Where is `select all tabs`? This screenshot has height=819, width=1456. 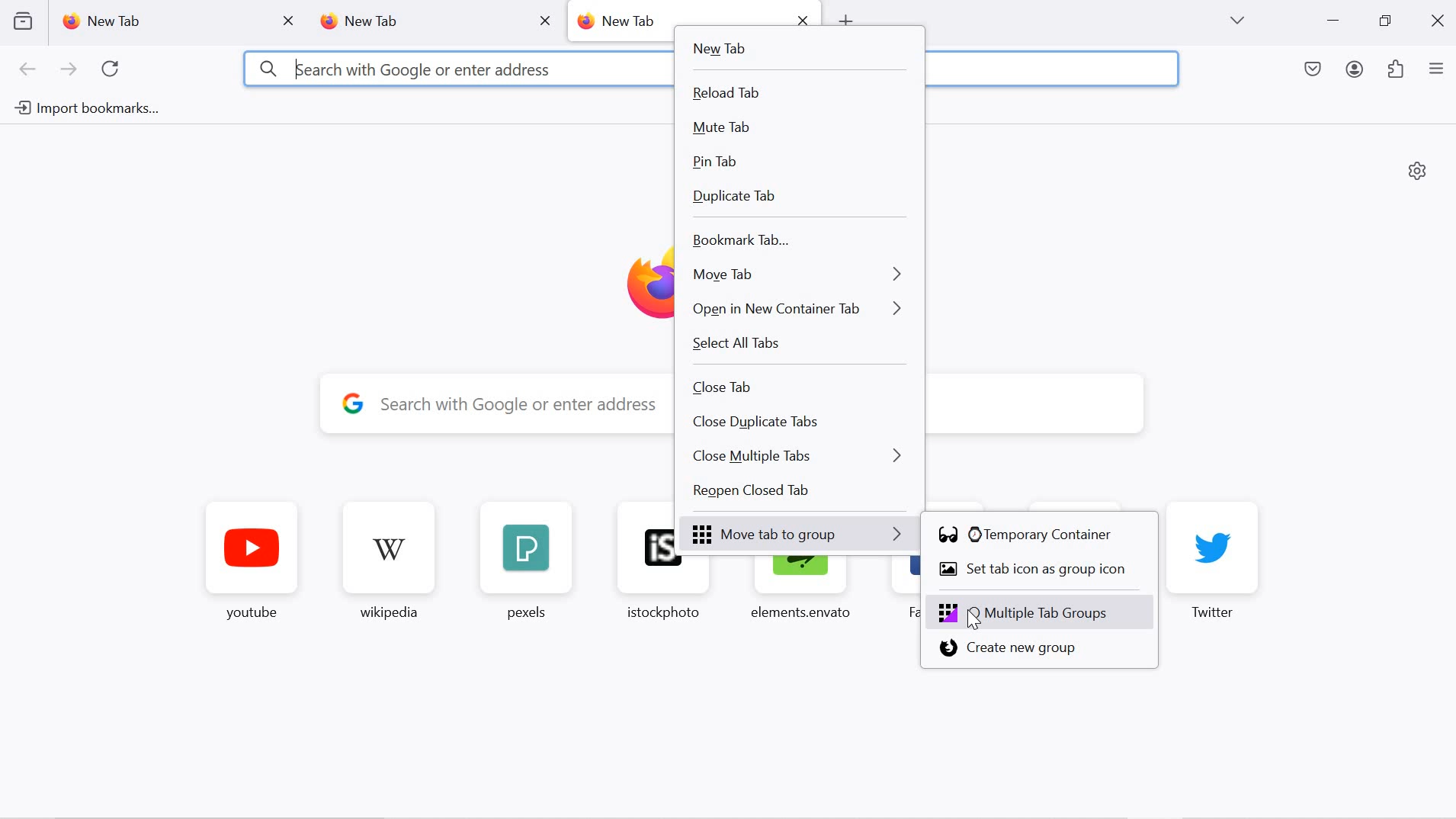 select all tabs is located at coordinates (797, 345).